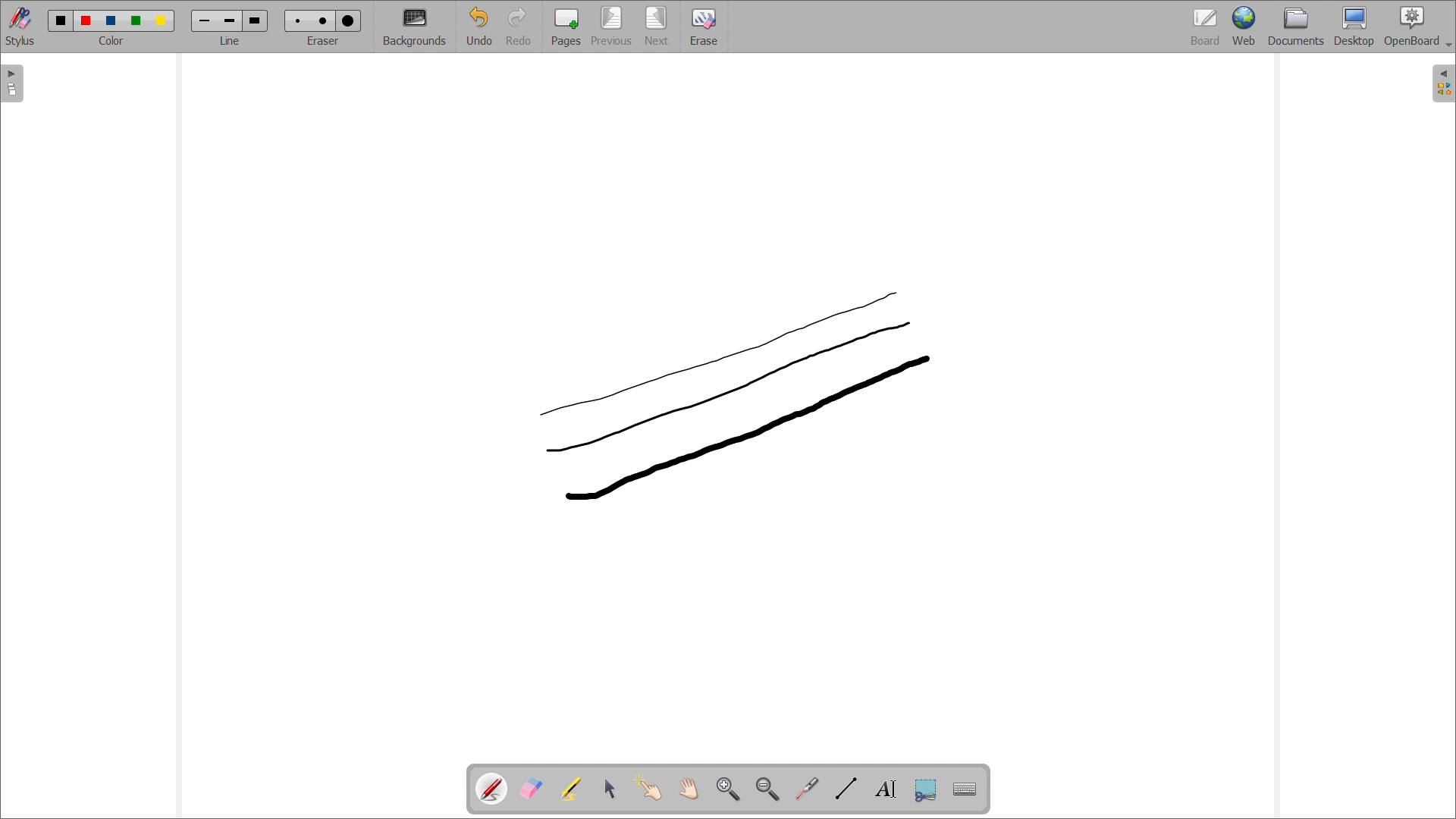 This screenshot has height=819, width=1456. What do you see at coordinates (704, 27) in the screenshot?
I see `erase` at bounding box center [704, 27].